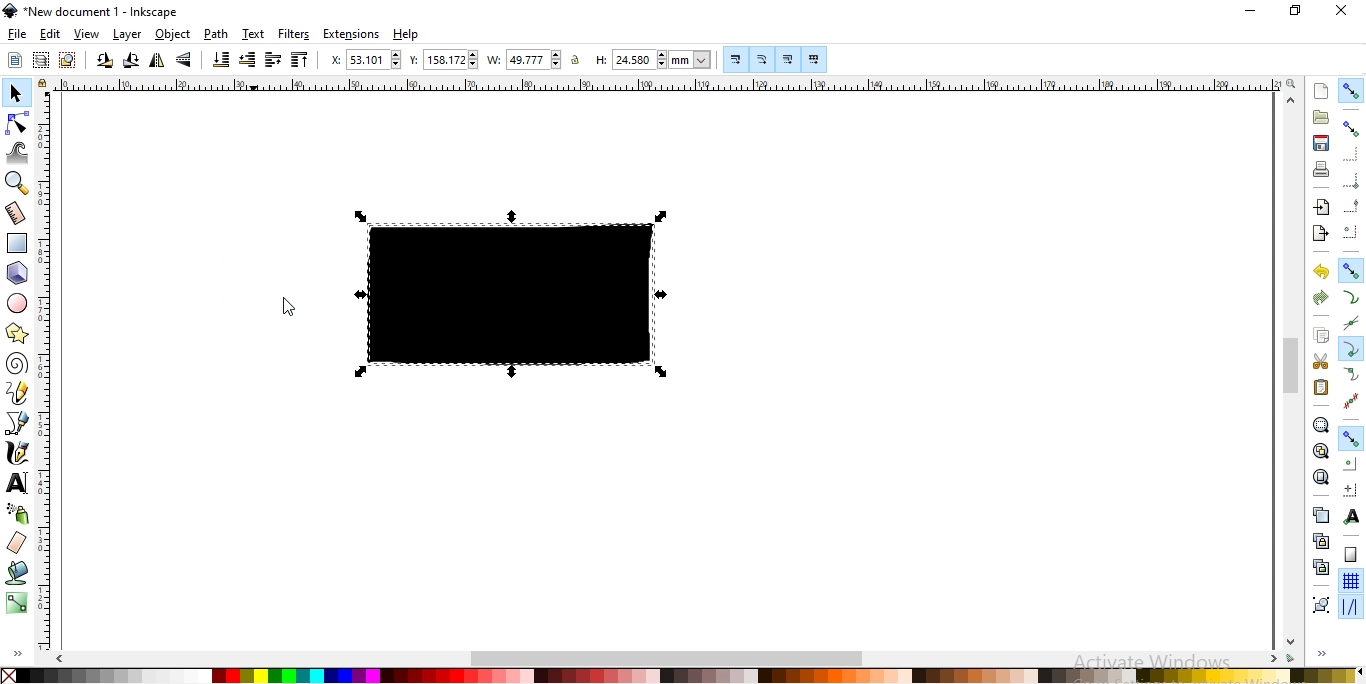 The width and height of the screenshot is (1366, 684). I want to click on zoom to fit selection, so click(1320, 425).